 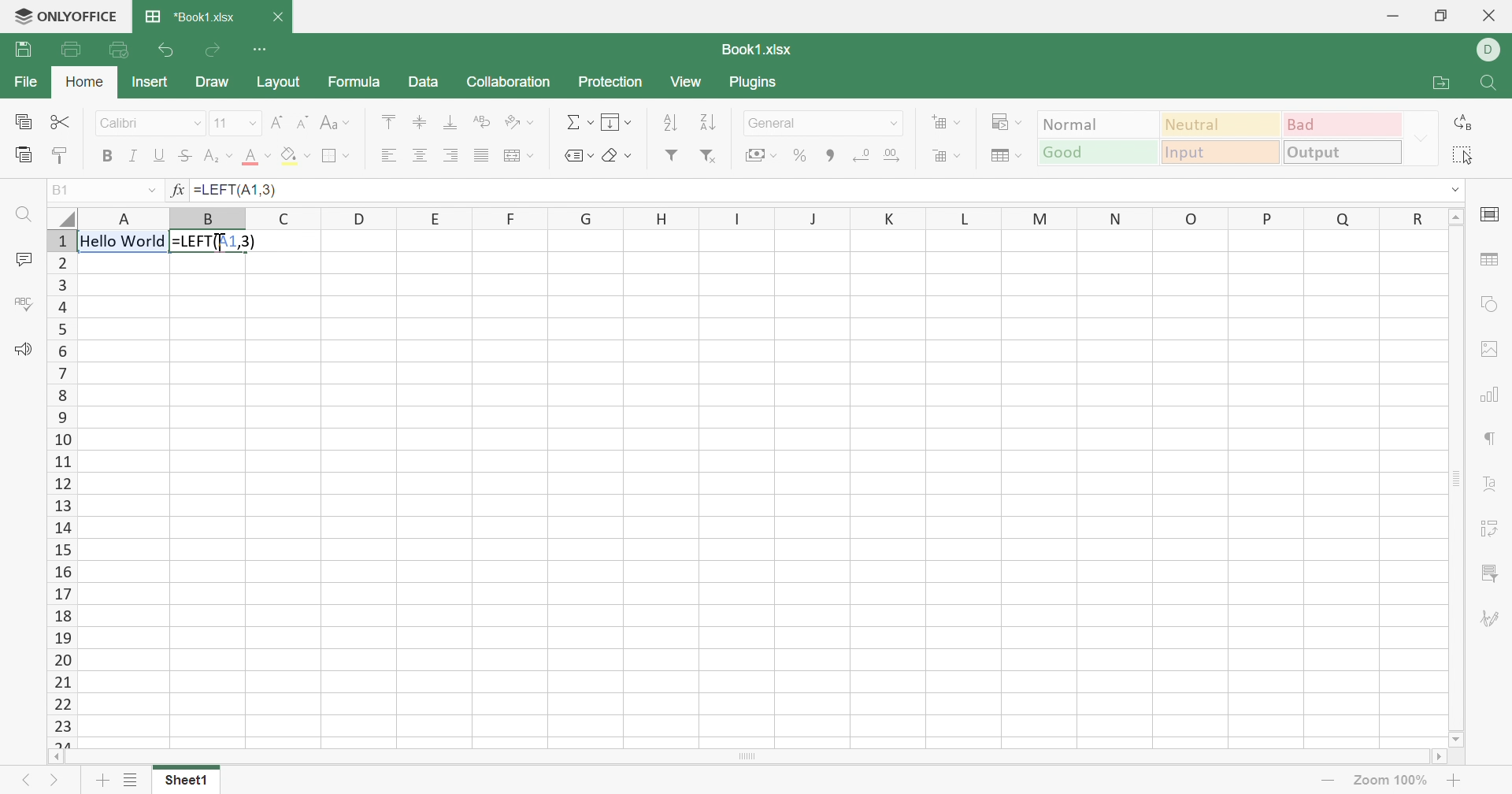 I want to click on Scroll bar, so click(x=1458, y=478).